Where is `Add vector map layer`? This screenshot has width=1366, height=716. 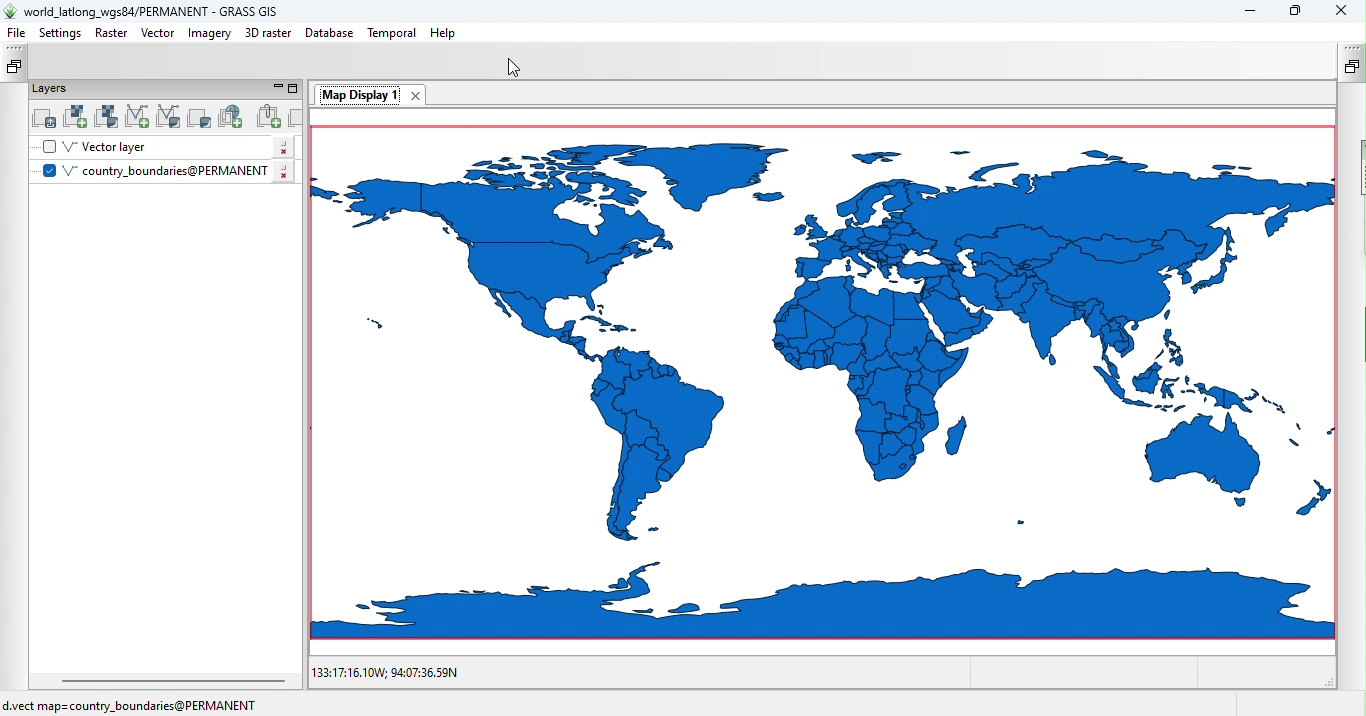 Add vector map layer is located at coordinates (140, 117).